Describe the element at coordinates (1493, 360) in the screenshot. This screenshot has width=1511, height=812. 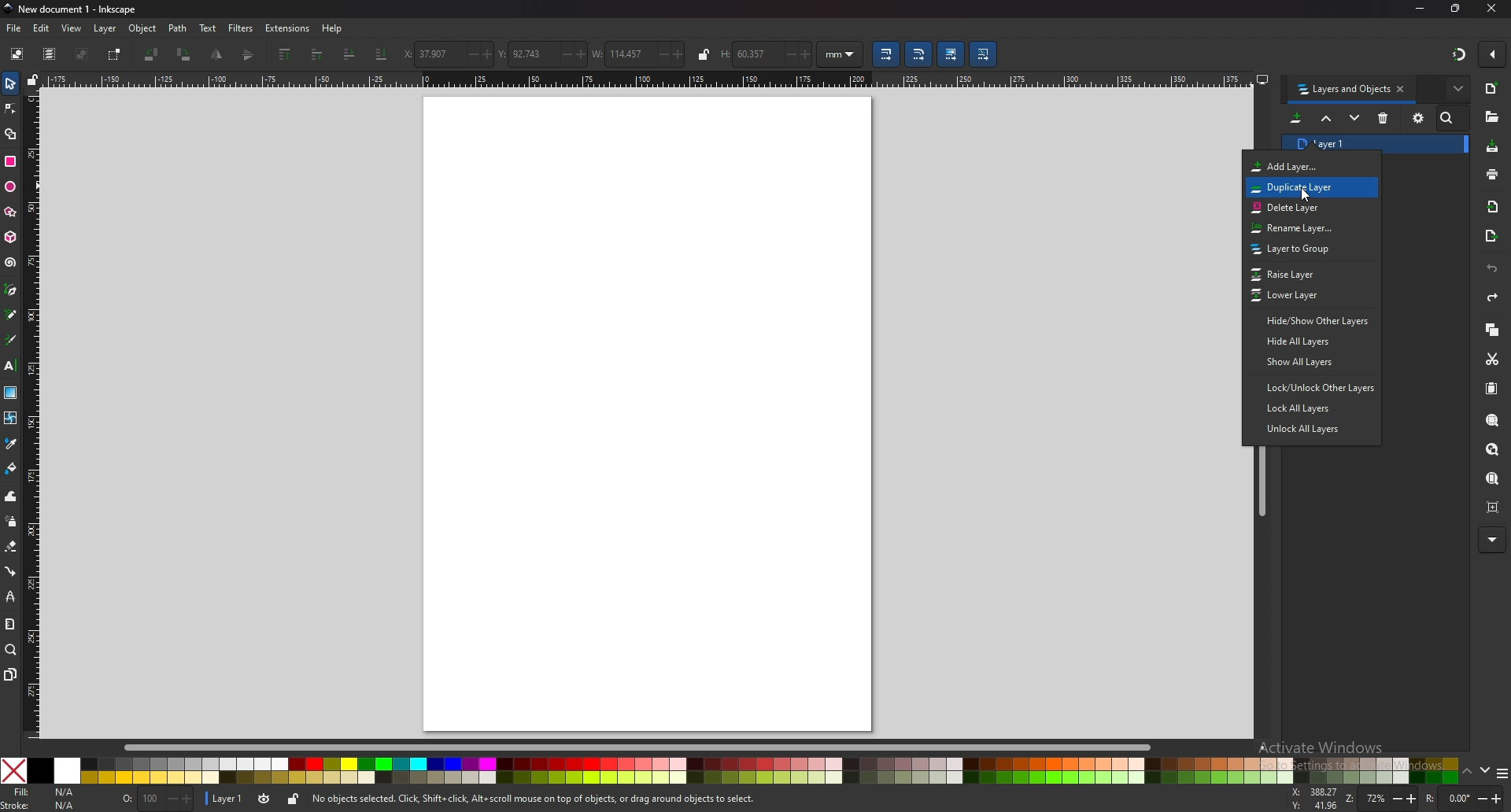
I see `cut` at that location.